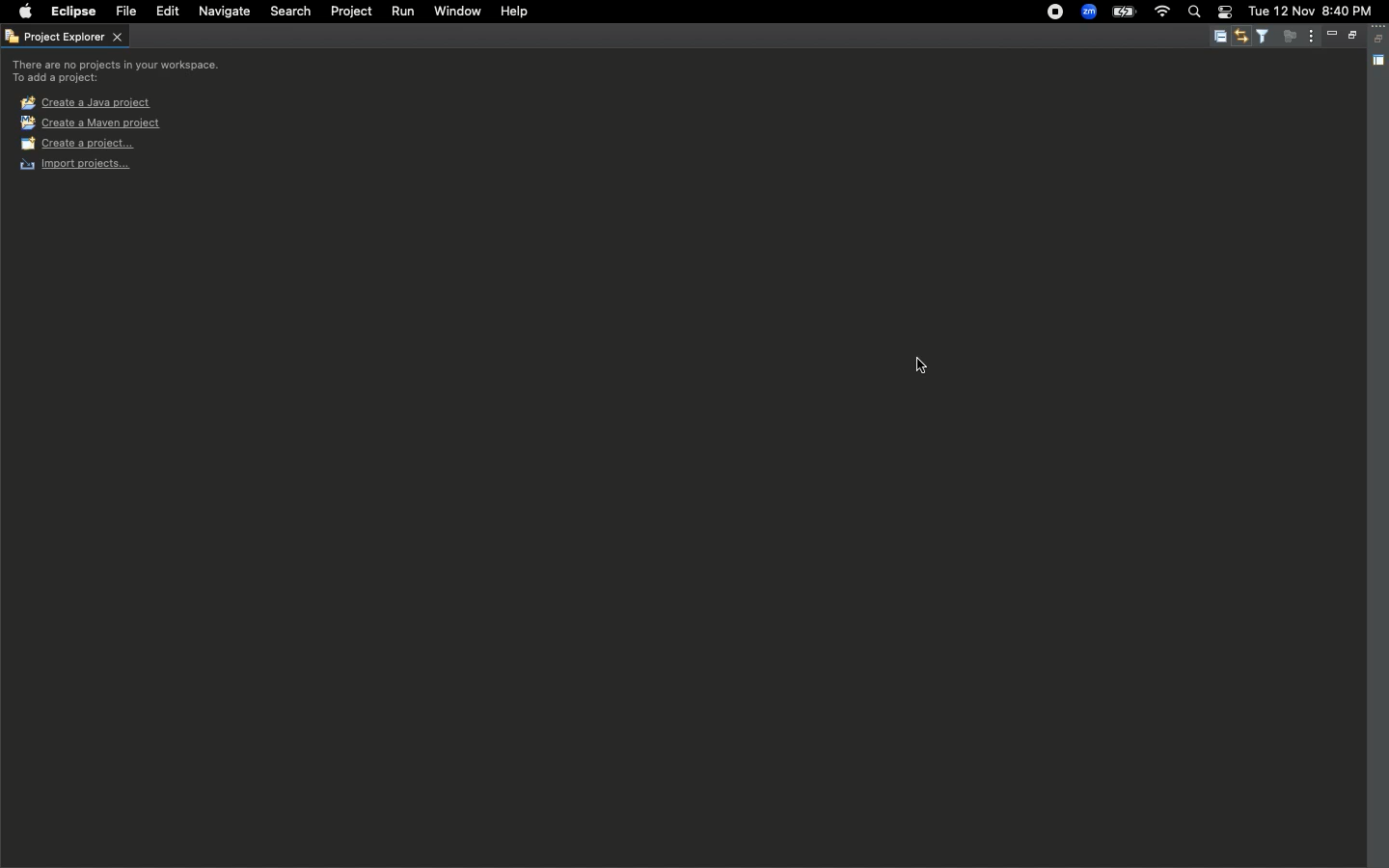  I want to click on Focus on active task, so click(1287, 37).